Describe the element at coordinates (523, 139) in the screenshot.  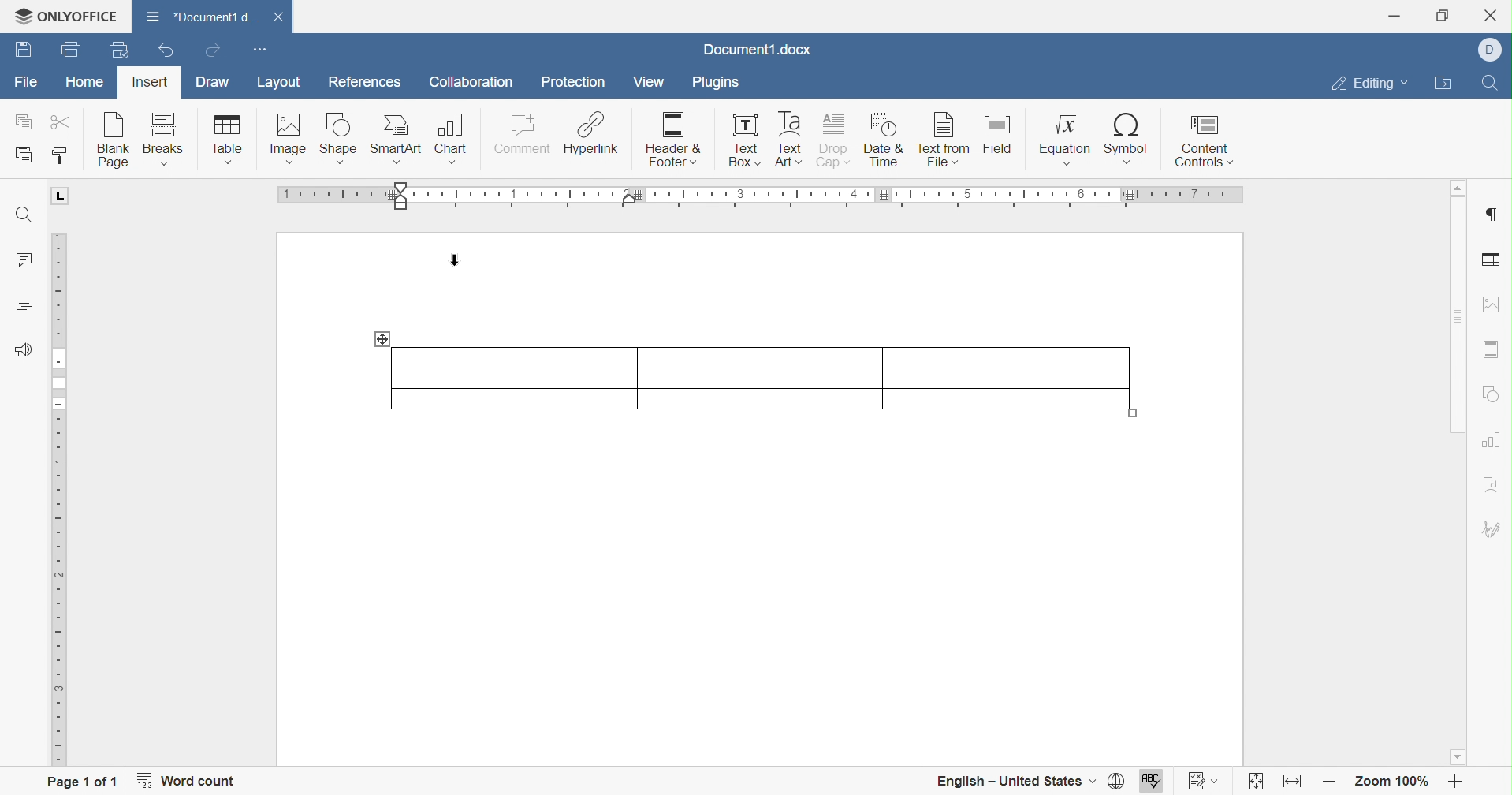
I see `Comment` at that location.